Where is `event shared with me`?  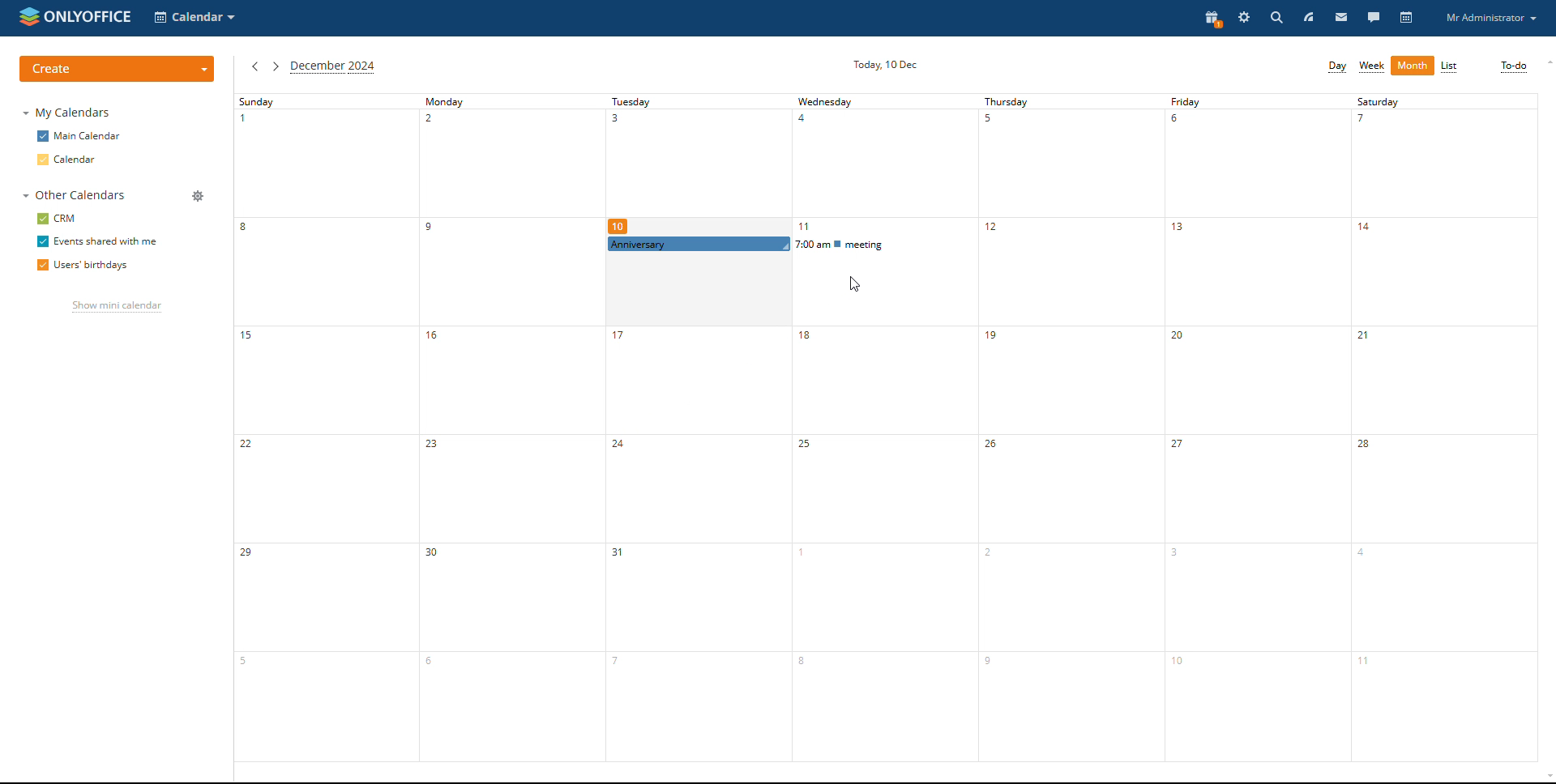
event shared with me is located at coordinates (96, 242).